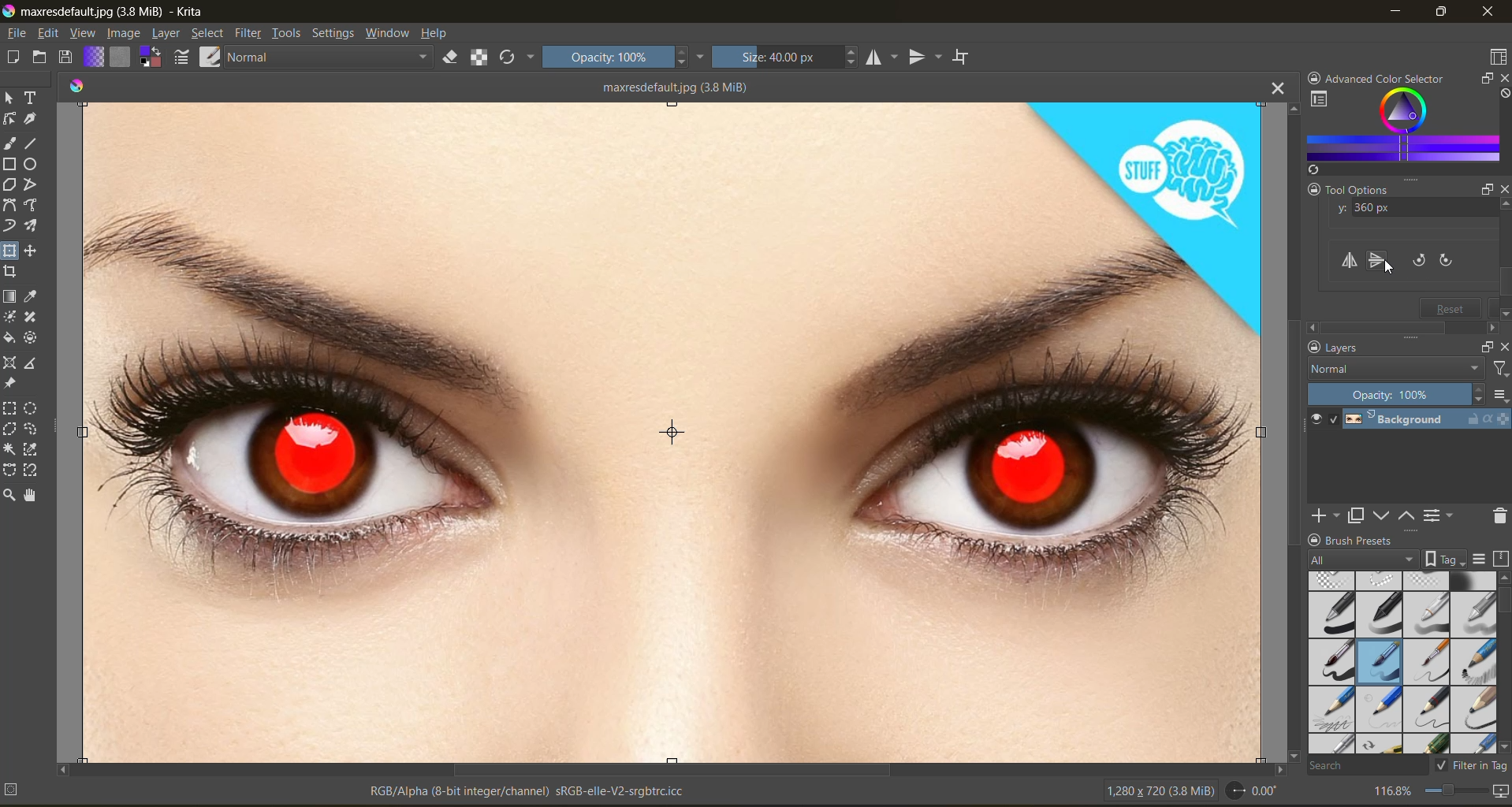 The height and width of the screenshot is (807, 1512). I want to click on create, so click(14, 58).